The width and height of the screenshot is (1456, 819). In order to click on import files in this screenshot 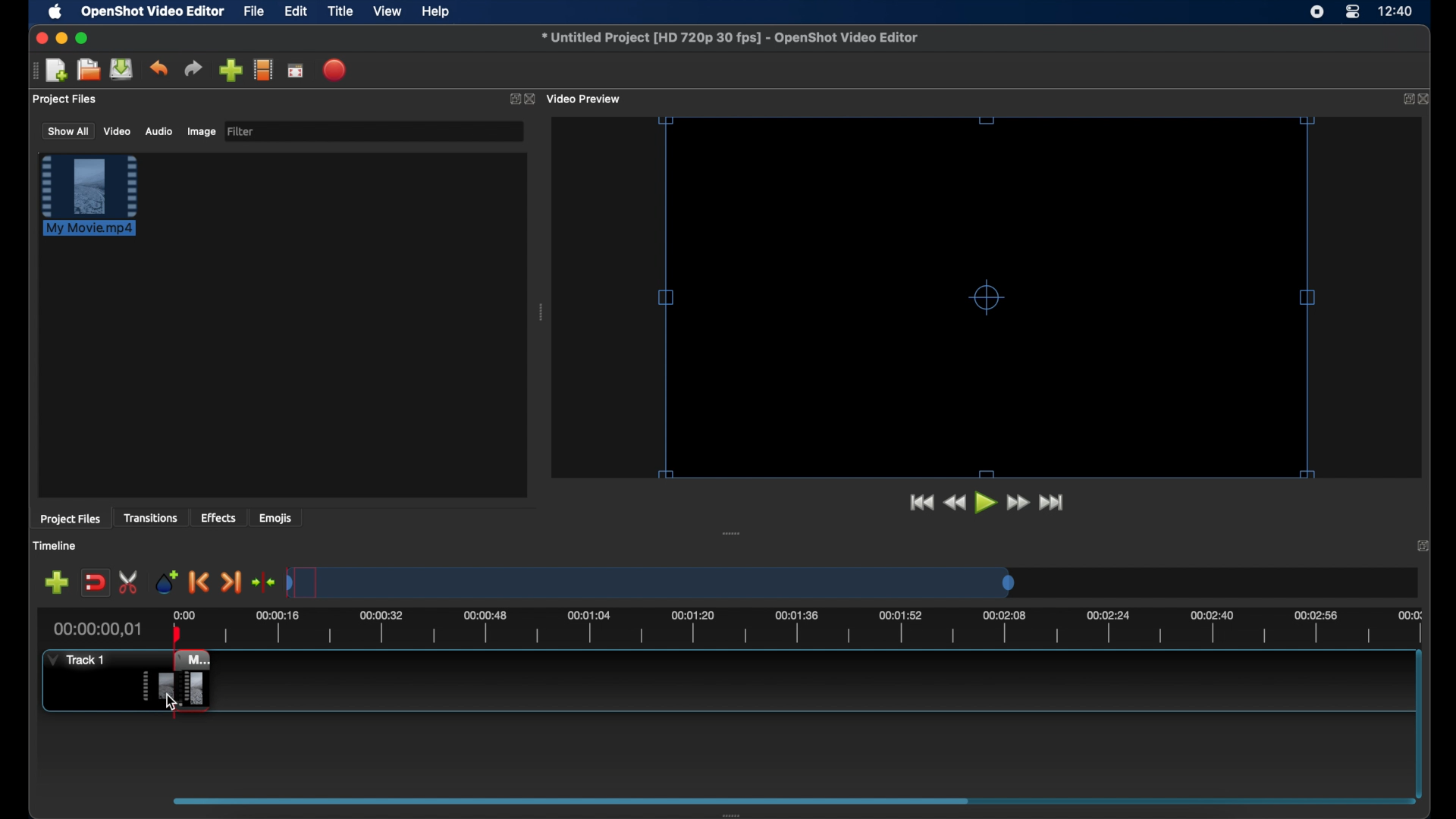, I will do `click(231, 71)`.